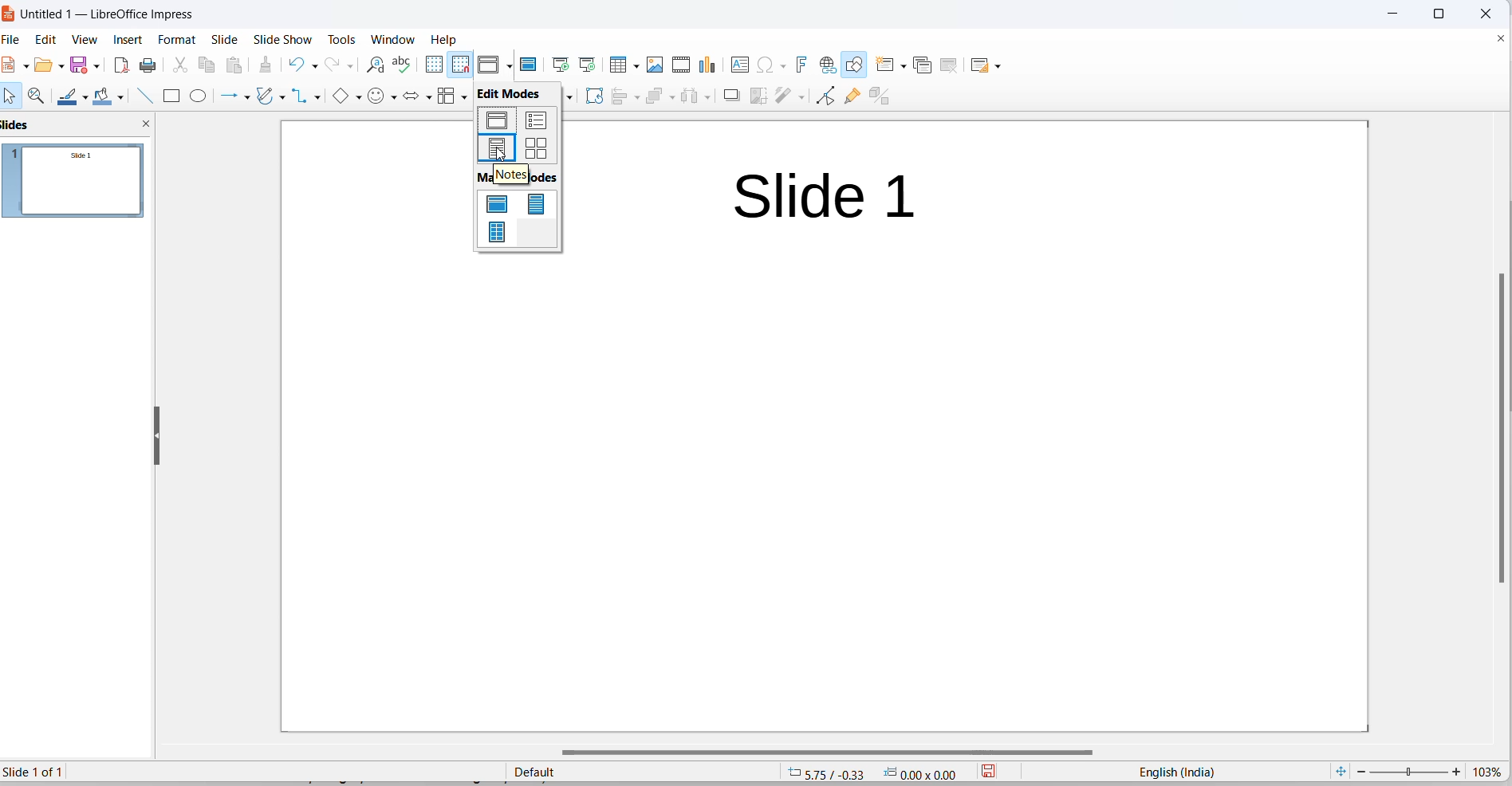  What do you see at coordinates (49, 39) in the screenshot?
I see `edit` at bounding box center [49, 39].